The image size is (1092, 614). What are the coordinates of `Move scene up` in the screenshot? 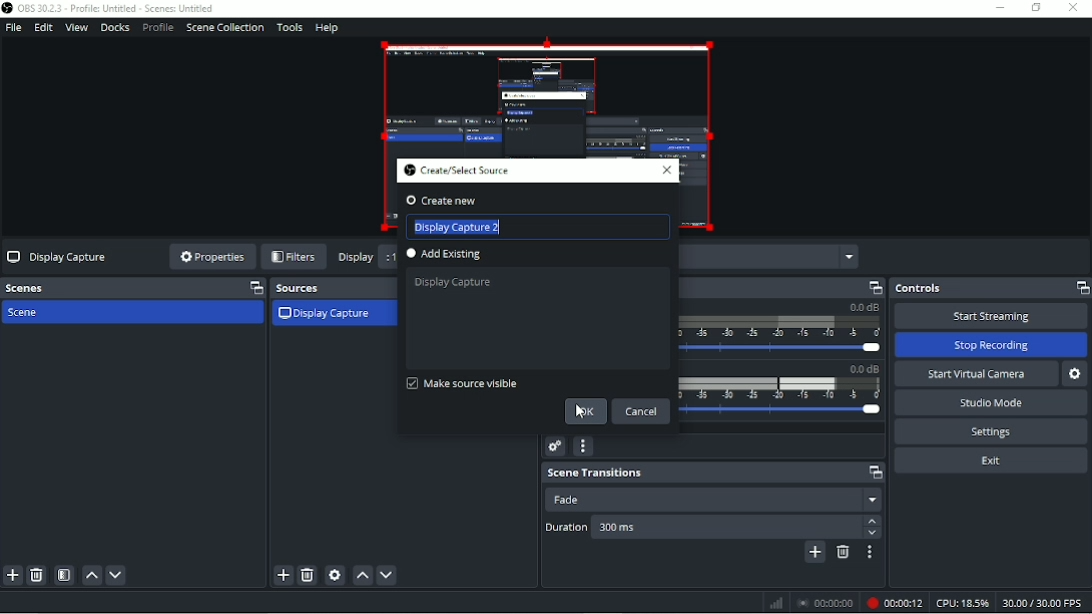 It's located at (90, 575).